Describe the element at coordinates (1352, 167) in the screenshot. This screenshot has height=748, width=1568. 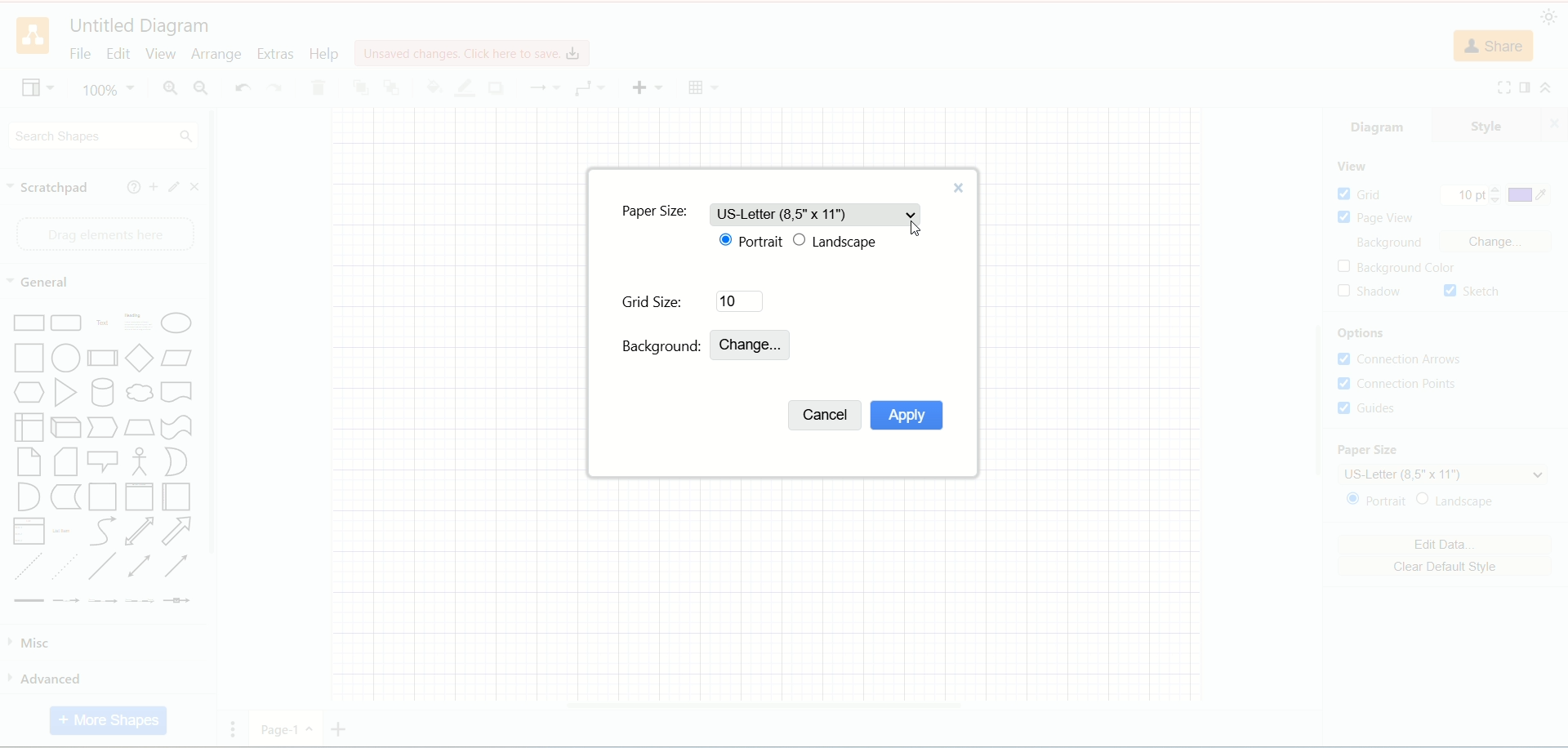
I see `view` at that location.